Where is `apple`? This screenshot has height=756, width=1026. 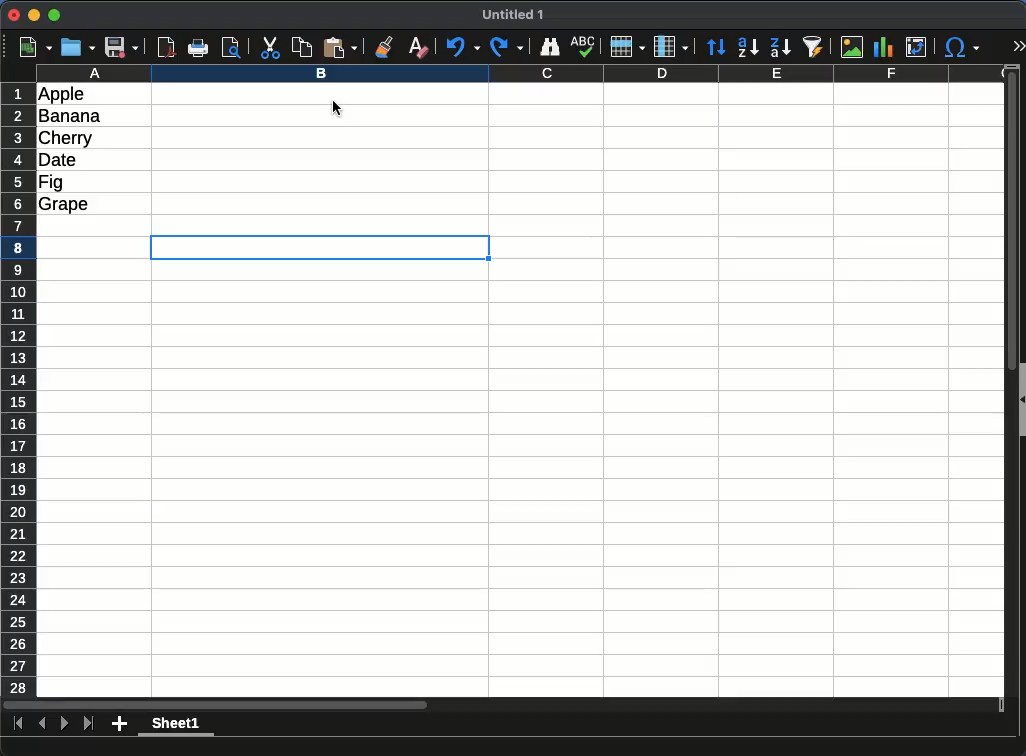 apple is located at coordinates (62, 95).